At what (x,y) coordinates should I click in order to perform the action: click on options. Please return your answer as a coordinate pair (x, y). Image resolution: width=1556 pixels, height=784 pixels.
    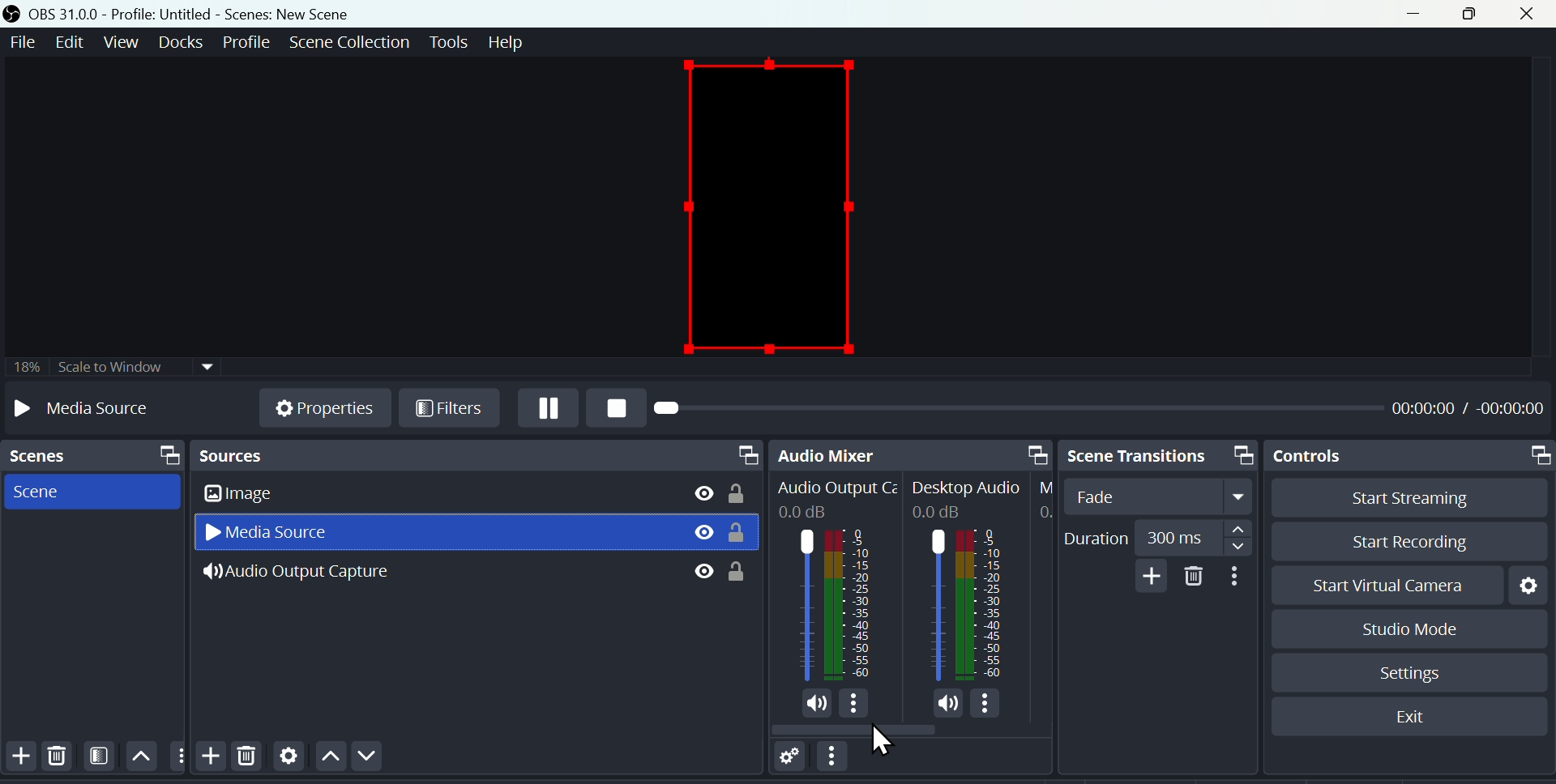
    Looking at the image, I should click on (177, 755).